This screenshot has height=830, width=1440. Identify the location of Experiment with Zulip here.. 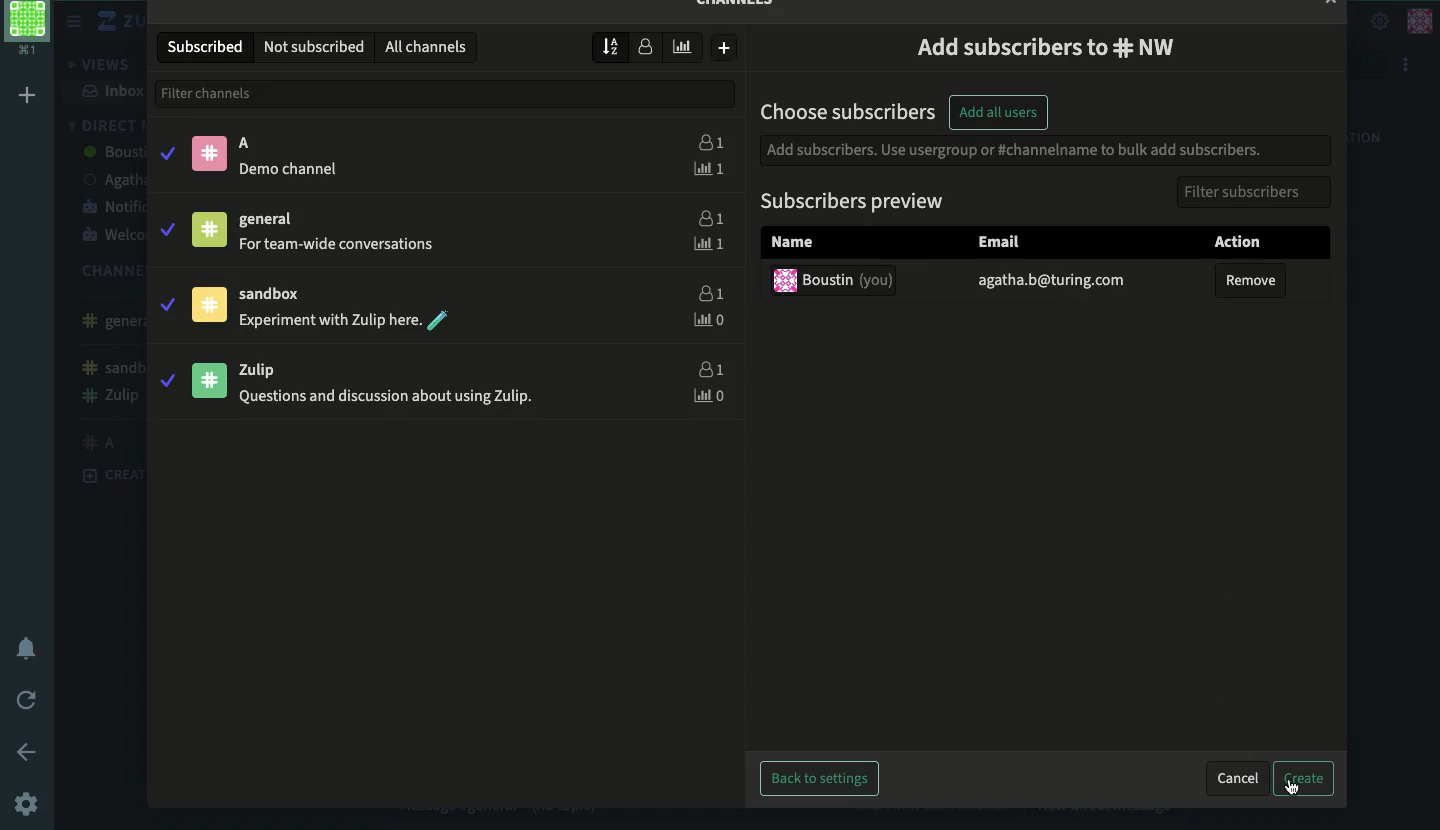
(328, 318).